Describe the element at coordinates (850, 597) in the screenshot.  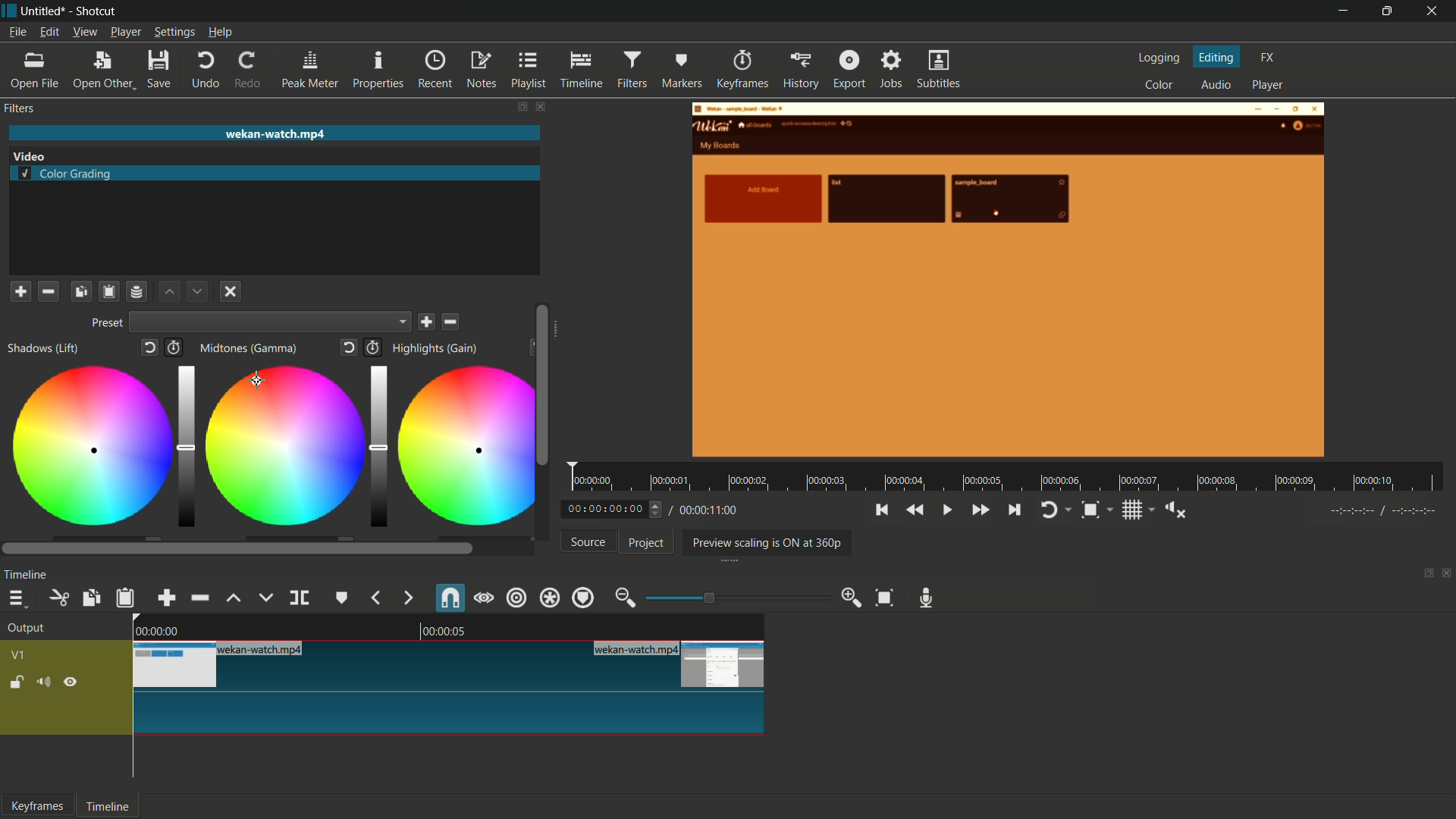
I see `zoom in` at that location.